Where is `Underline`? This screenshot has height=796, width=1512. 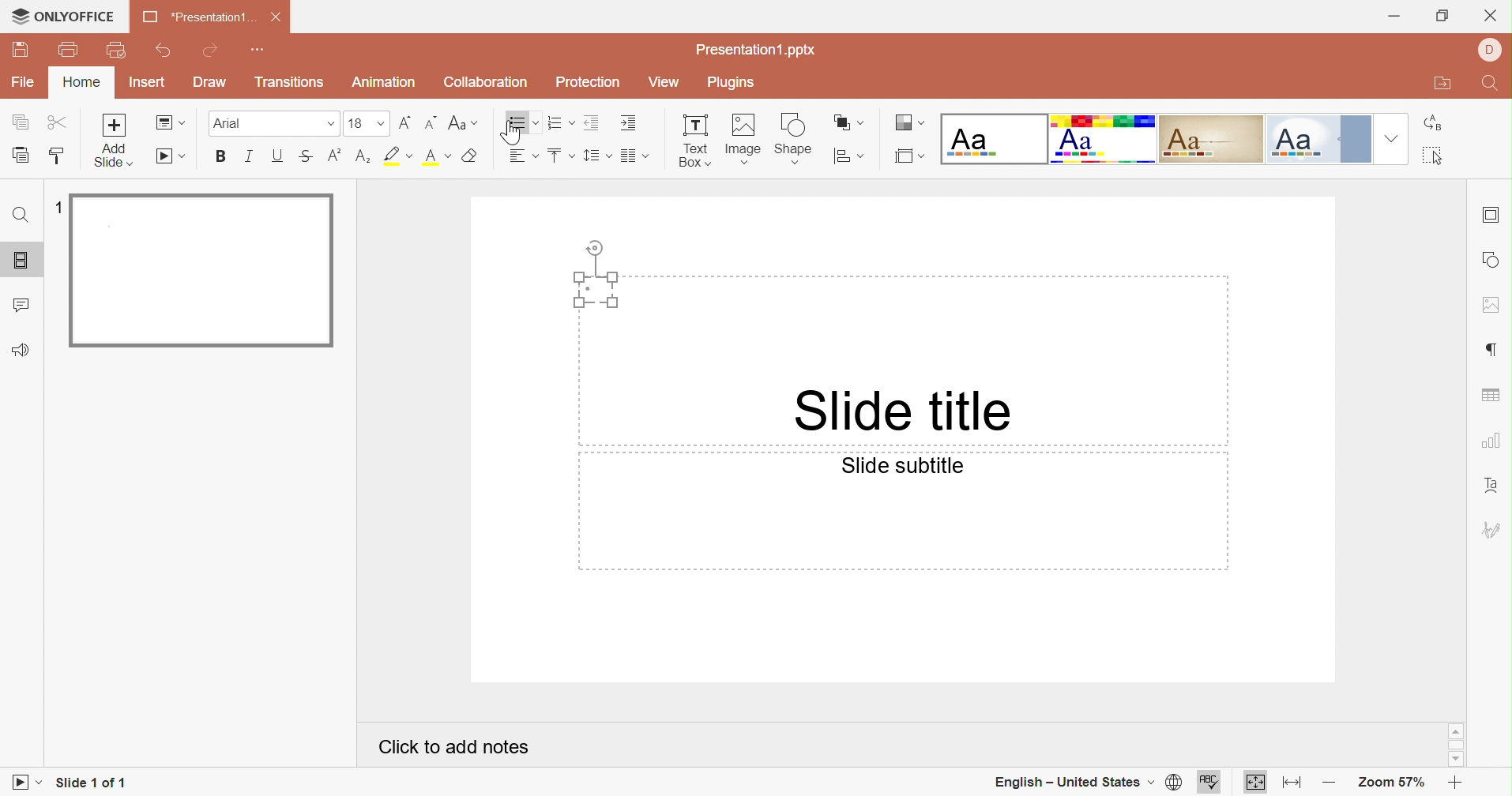
Underline is located at coordinates (278, 157).